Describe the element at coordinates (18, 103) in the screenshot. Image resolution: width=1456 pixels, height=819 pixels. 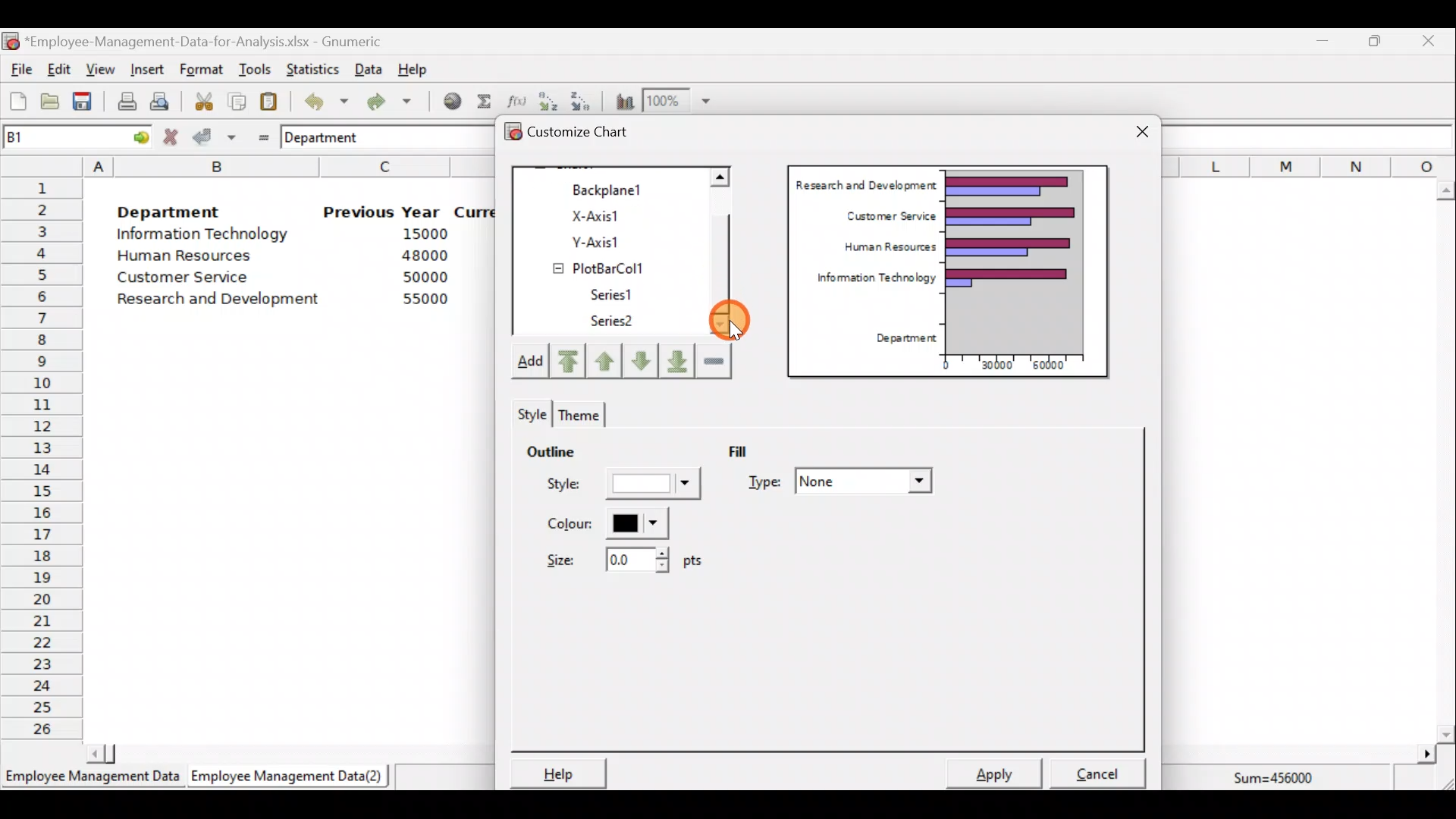
I see `Create a new workbook` at that location.